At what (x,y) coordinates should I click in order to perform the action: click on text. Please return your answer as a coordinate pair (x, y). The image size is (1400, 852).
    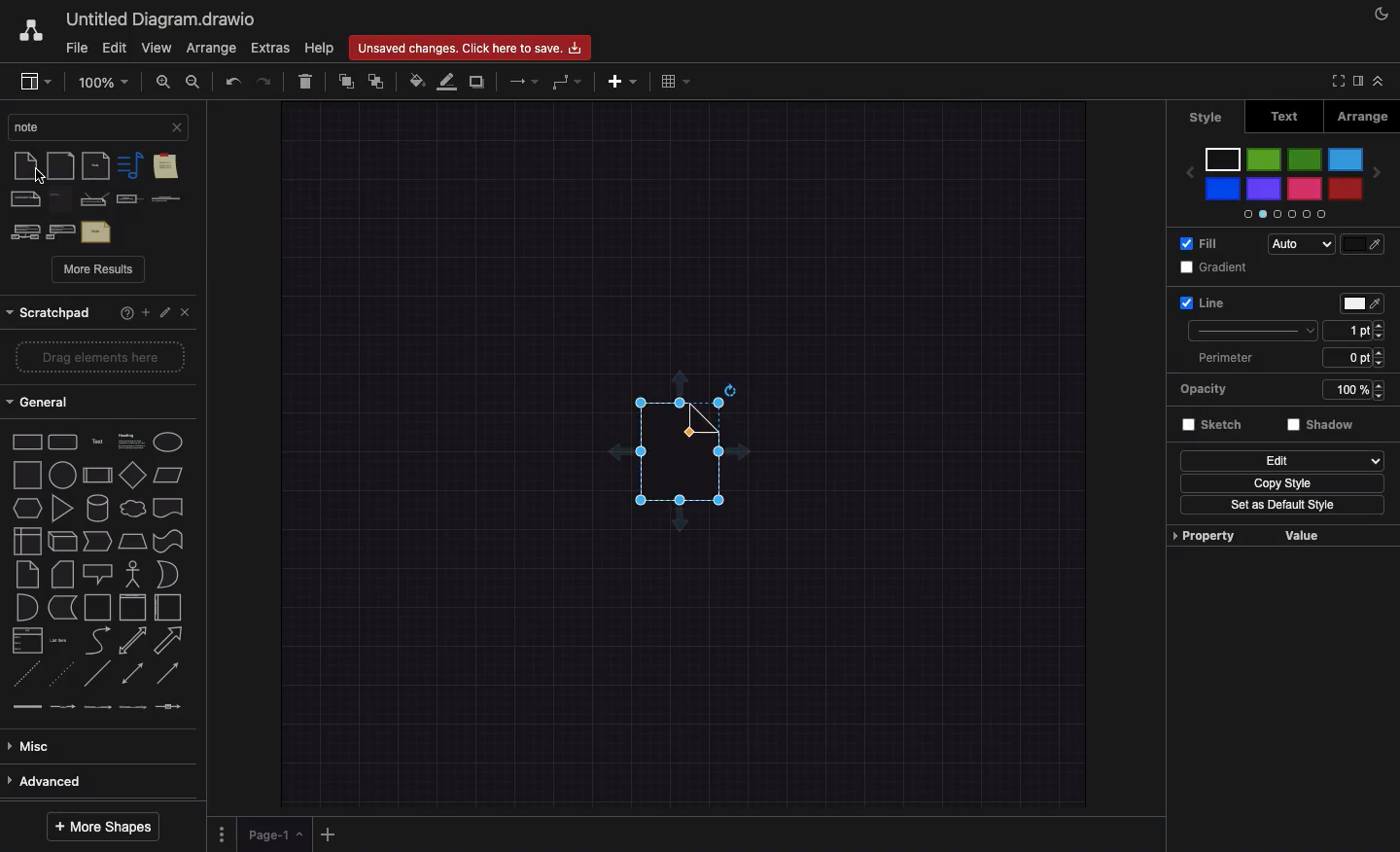
    Looking at the image, I should click on (97, 441).